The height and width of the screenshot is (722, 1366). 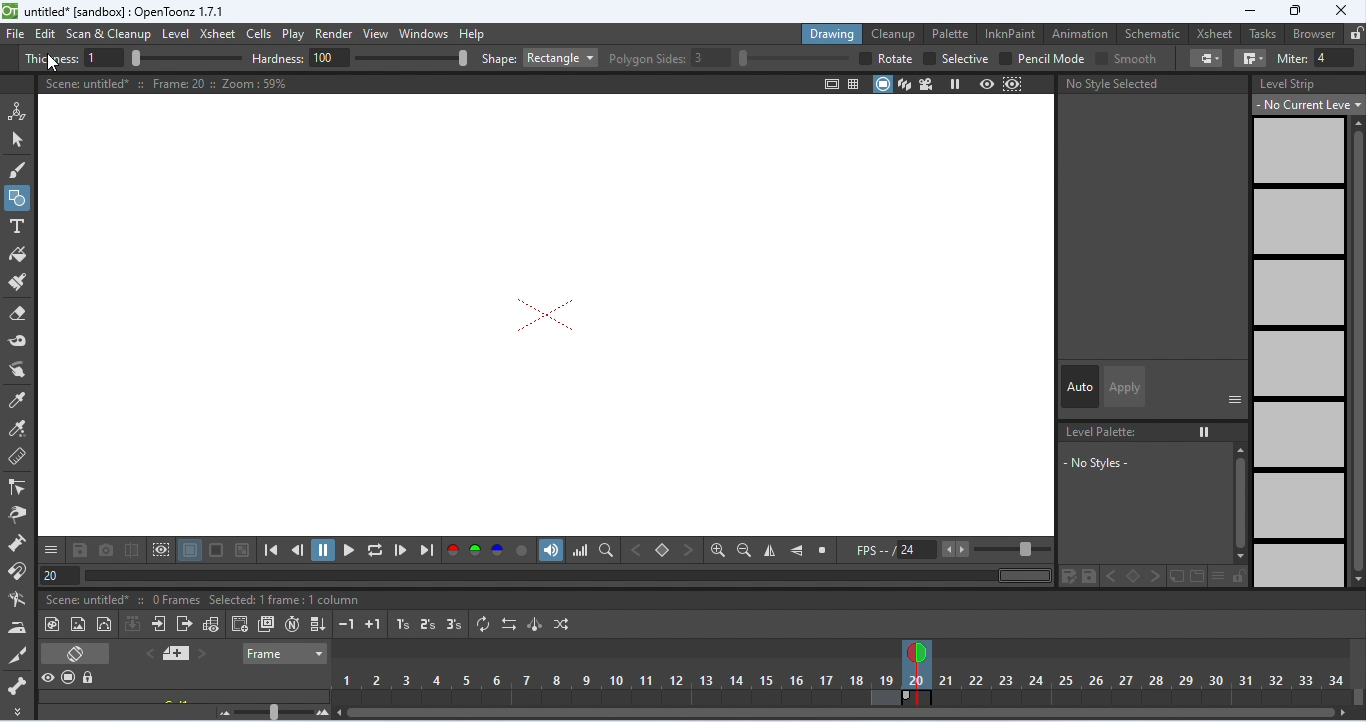 I want to click on render, so click(x=333, y=34).